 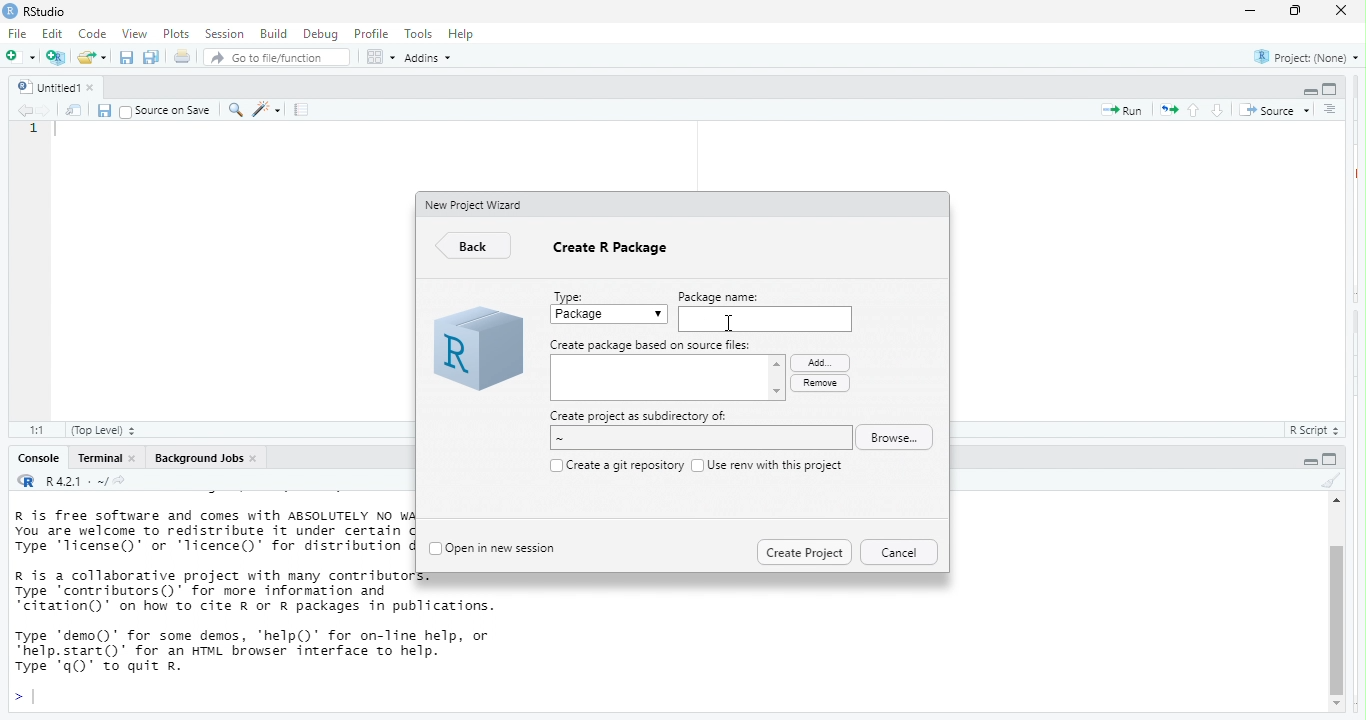 What do you see at coordinates (26, 697) in the screenshot?
I see `typing cursor` at bounding box center [26, 697].